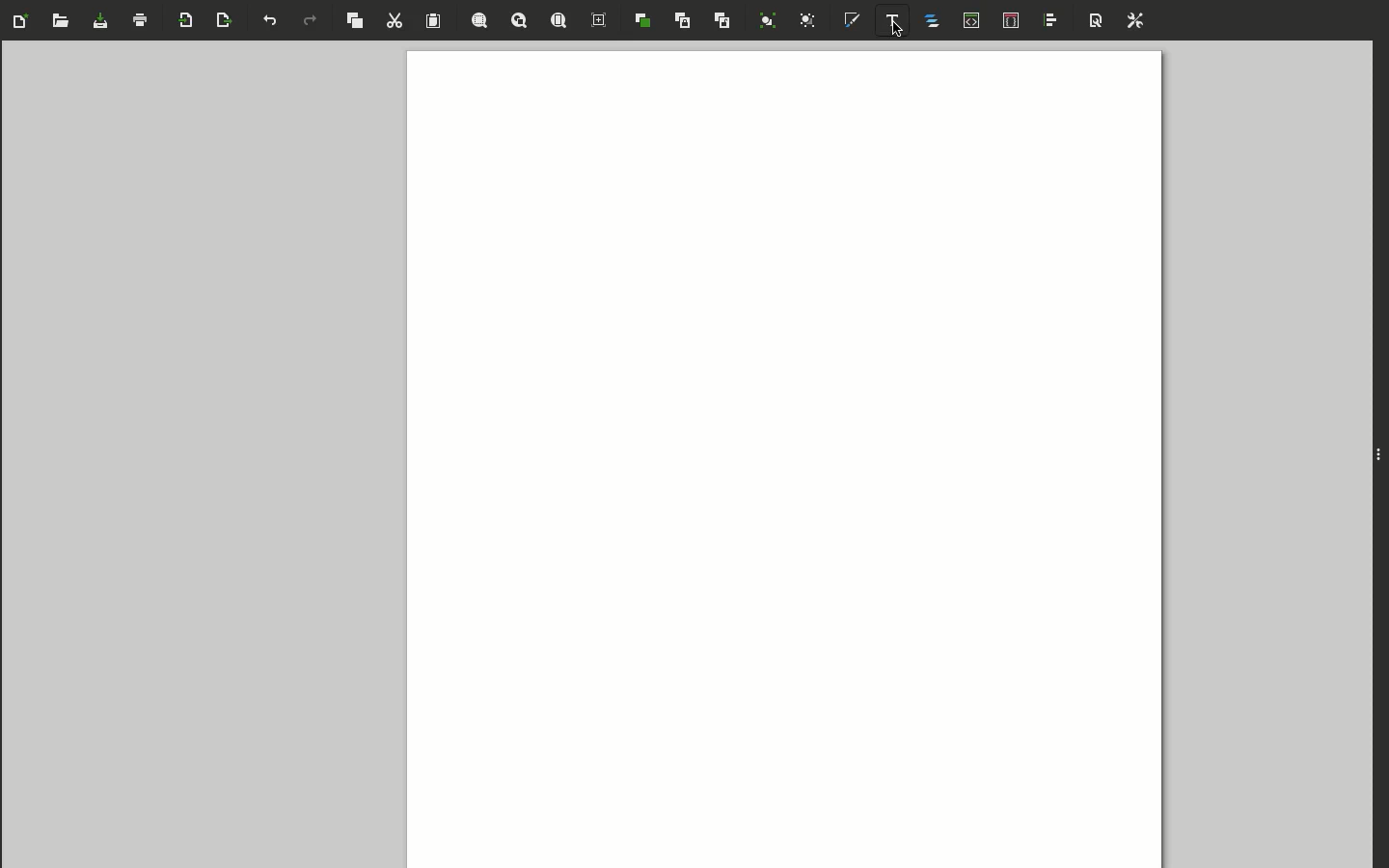 This screenshot has width=1389, height=868. What do you see at coordinates (188, 21) in the screenshot?
I see `Import` at bounding box center [188, 21].